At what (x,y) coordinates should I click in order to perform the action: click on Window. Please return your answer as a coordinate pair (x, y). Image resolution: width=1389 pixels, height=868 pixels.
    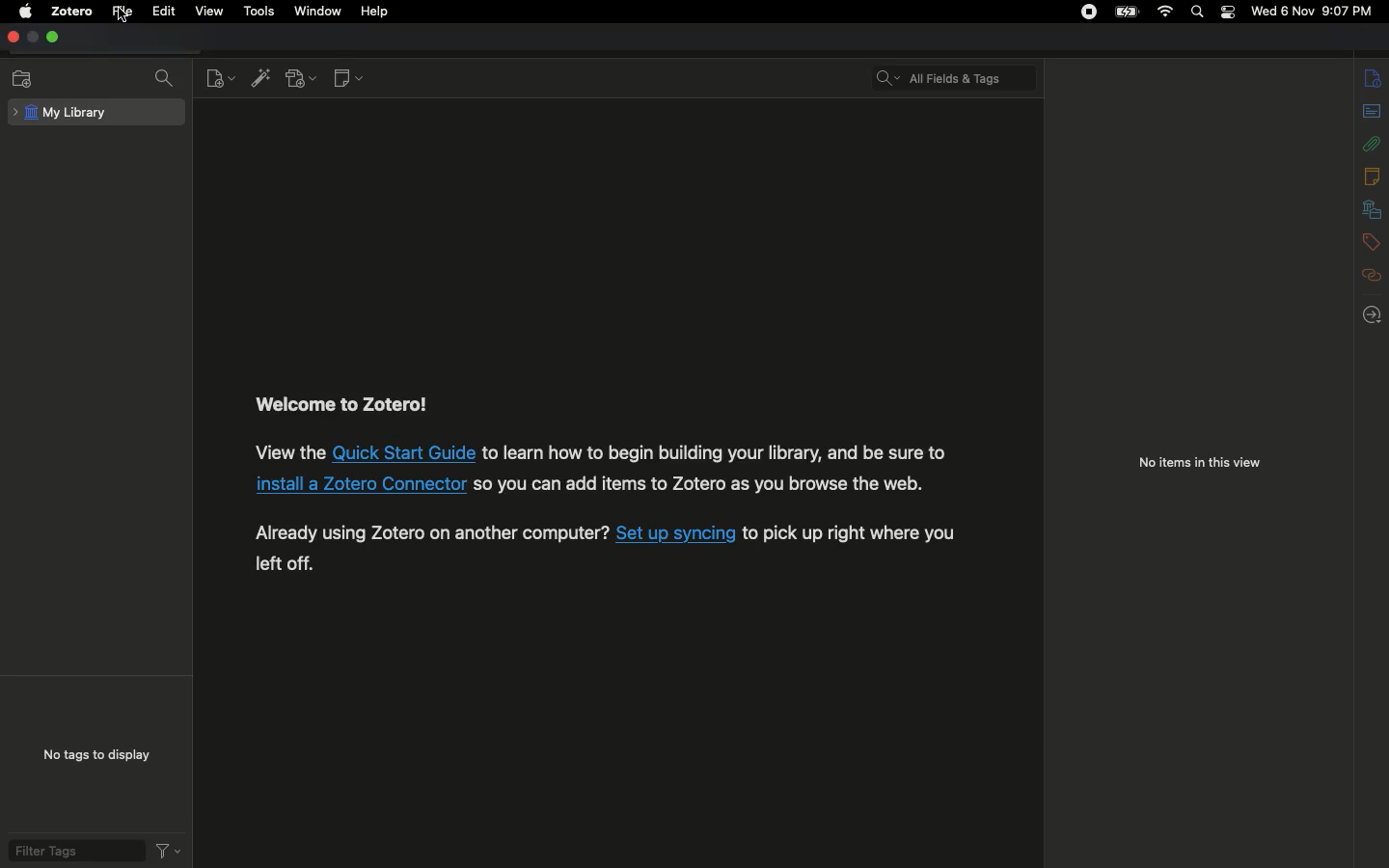
    Looking at the image, I should click on (320, 11).